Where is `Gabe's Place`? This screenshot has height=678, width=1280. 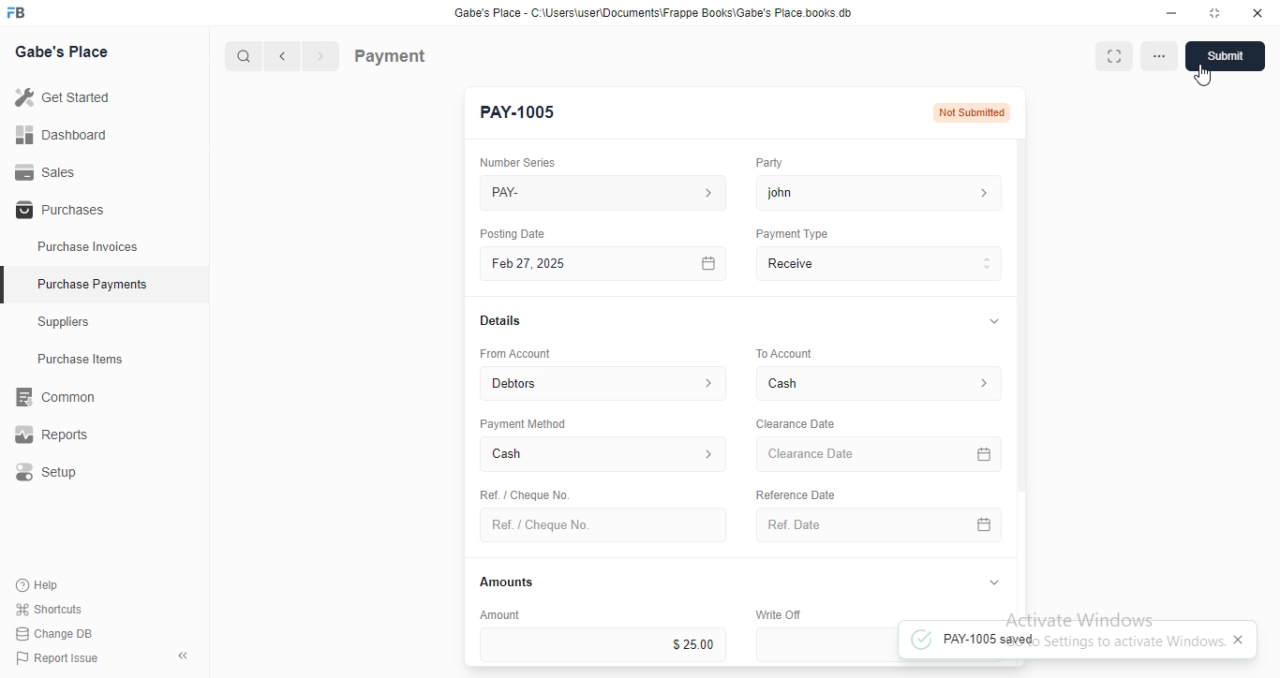 Gabe's Place is located at coordinates (66, 53).